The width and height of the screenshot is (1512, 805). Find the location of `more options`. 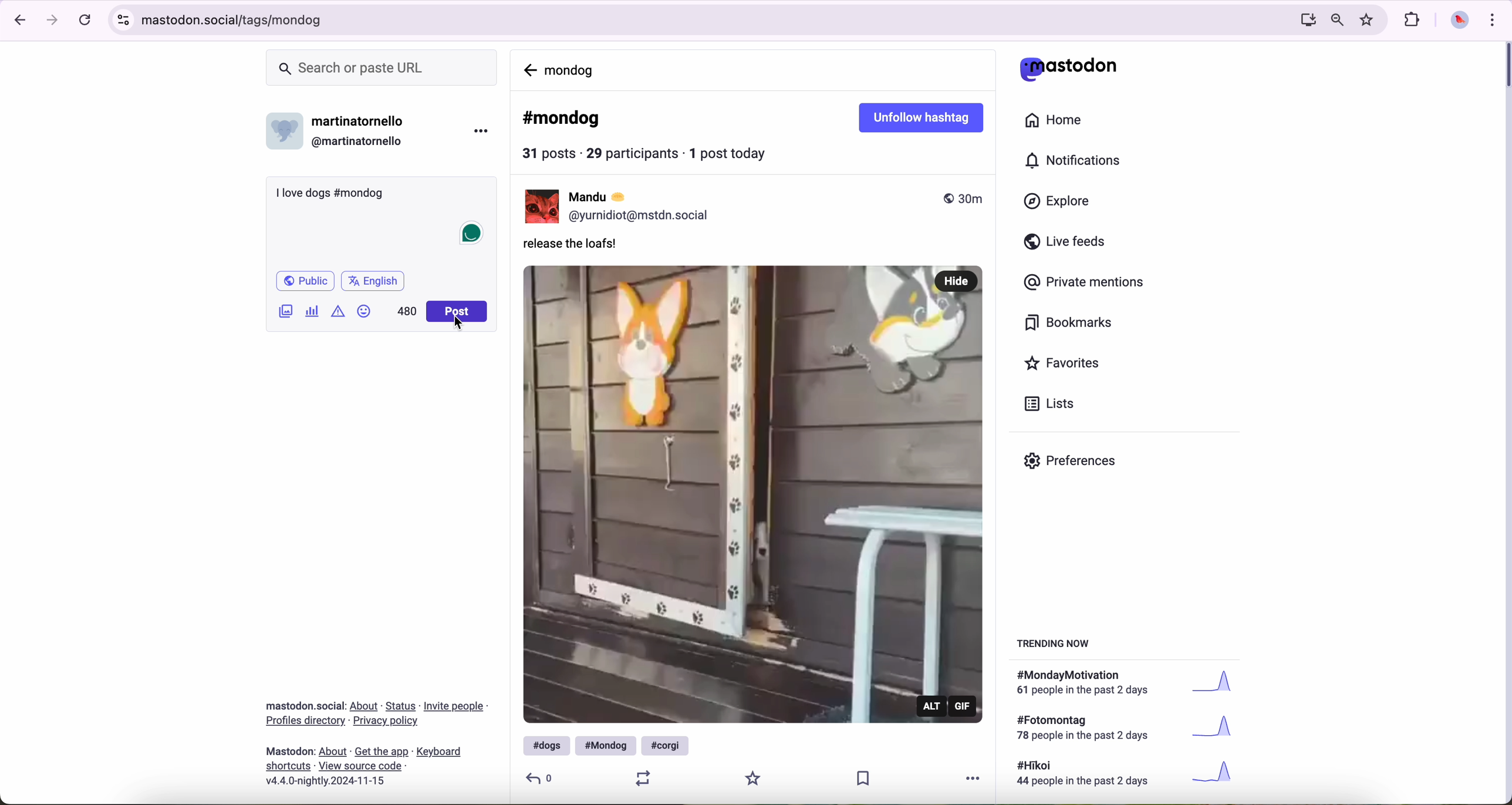

more options is located at coordinates (480, 133).